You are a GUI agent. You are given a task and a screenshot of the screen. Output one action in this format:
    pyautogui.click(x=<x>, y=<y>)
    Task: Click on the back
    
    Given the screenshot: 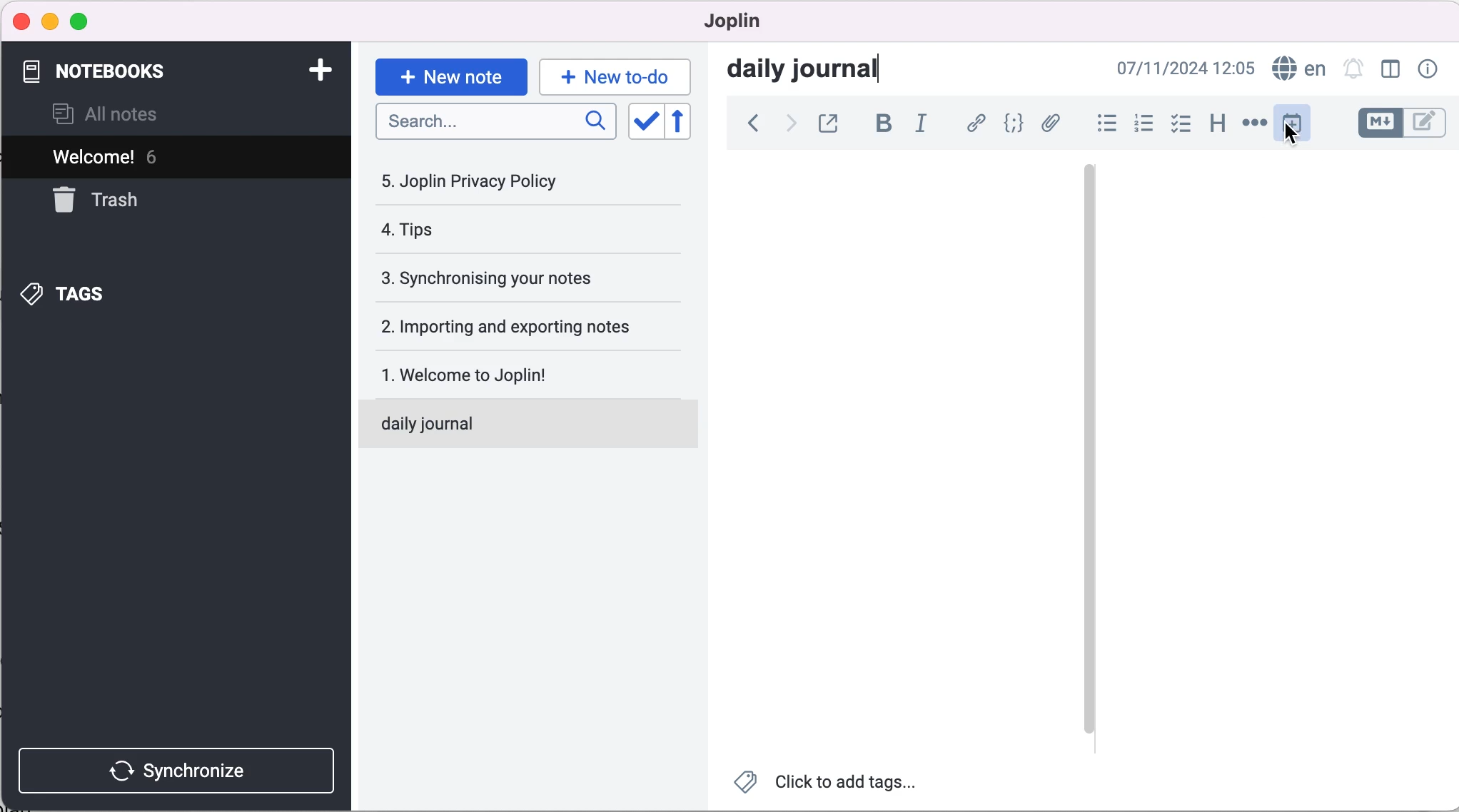 What is the action you would take?
    pyautogui.click(x=747, y=123)
    